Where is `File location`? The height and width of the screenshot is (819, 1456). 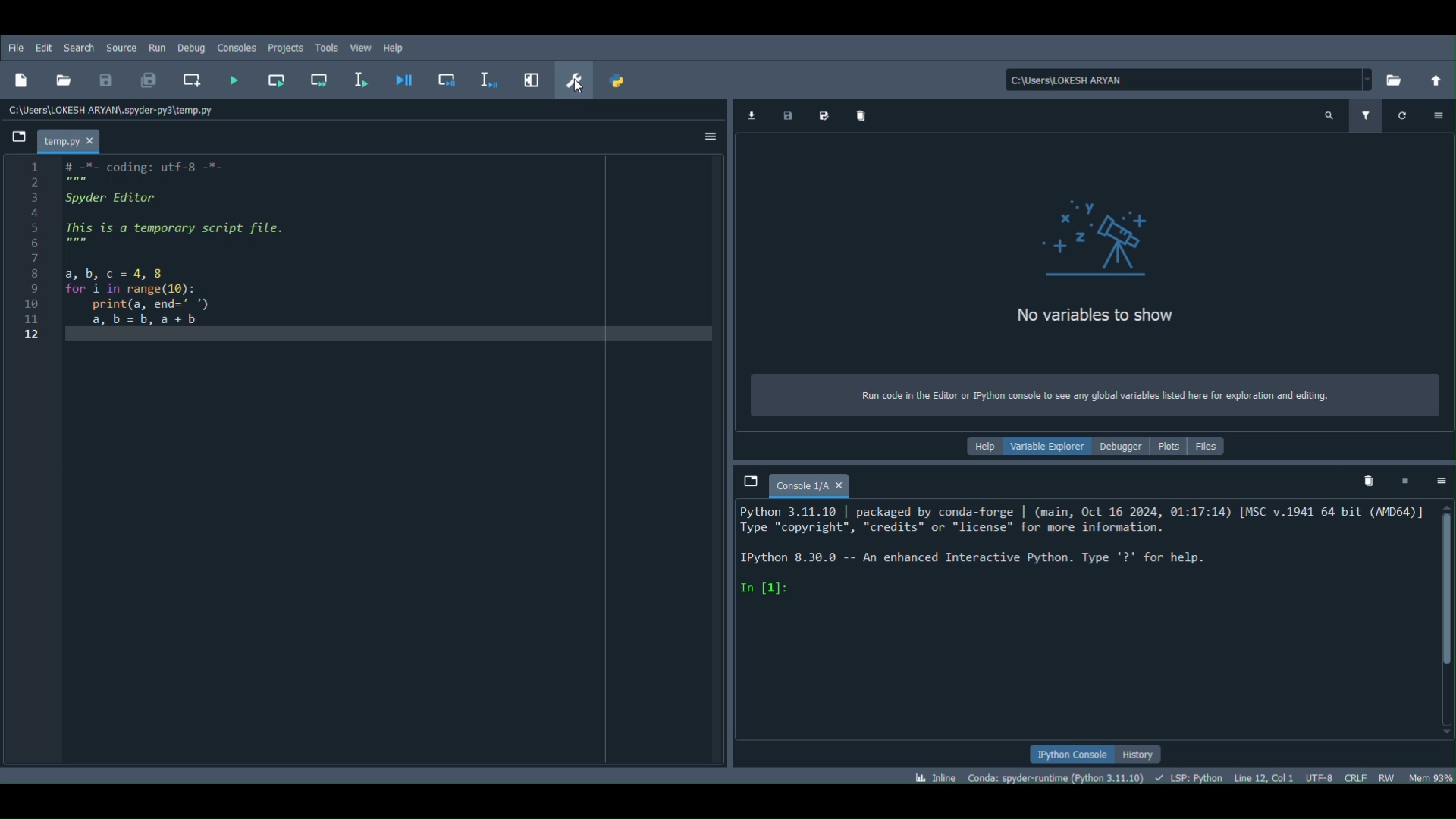
File location is located at coordinates (1185, 77).